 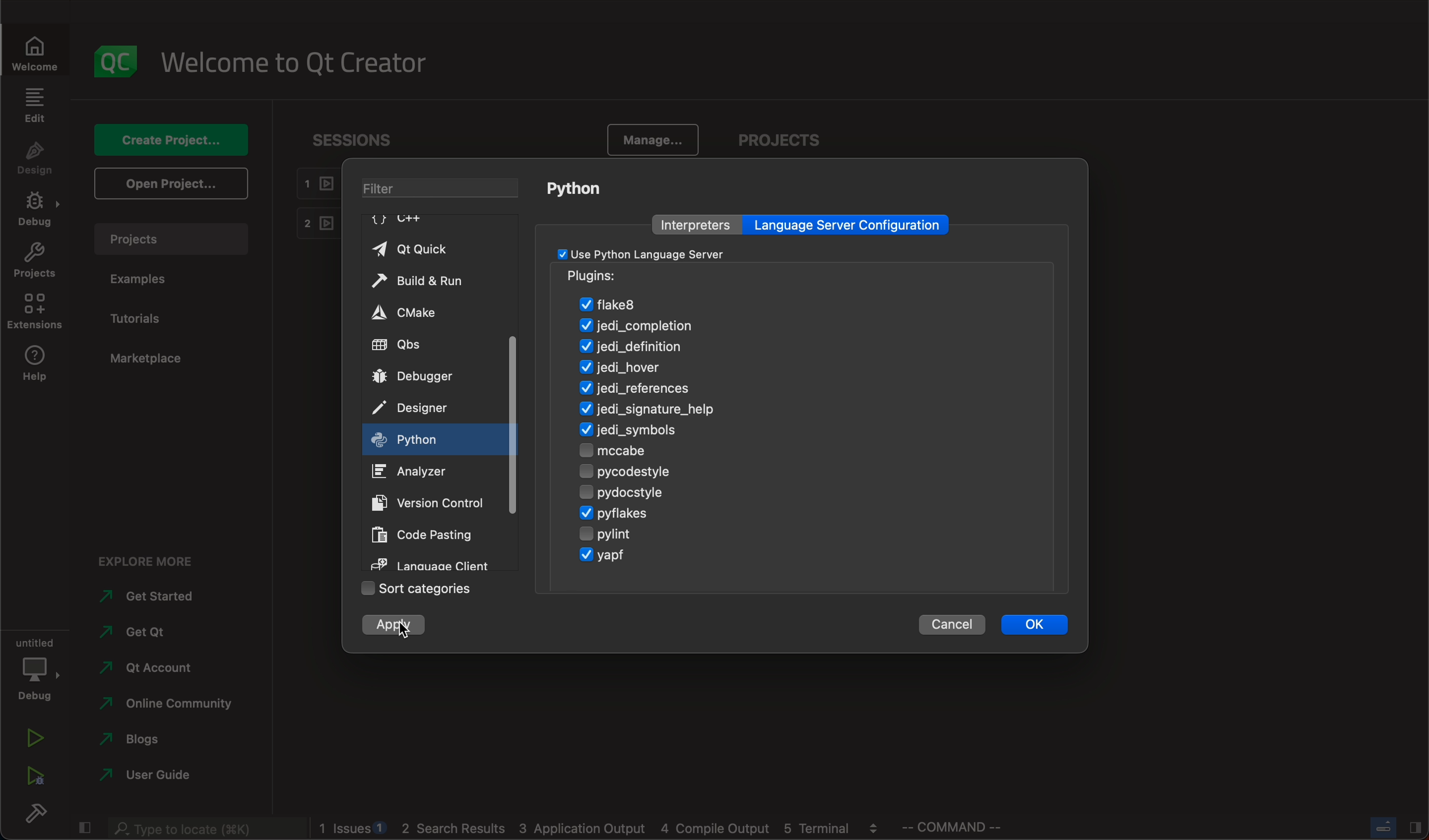 What do you see at coordinates (418, 439) in the screenshot?
I see `on key up` at bounding box center [418, 439].